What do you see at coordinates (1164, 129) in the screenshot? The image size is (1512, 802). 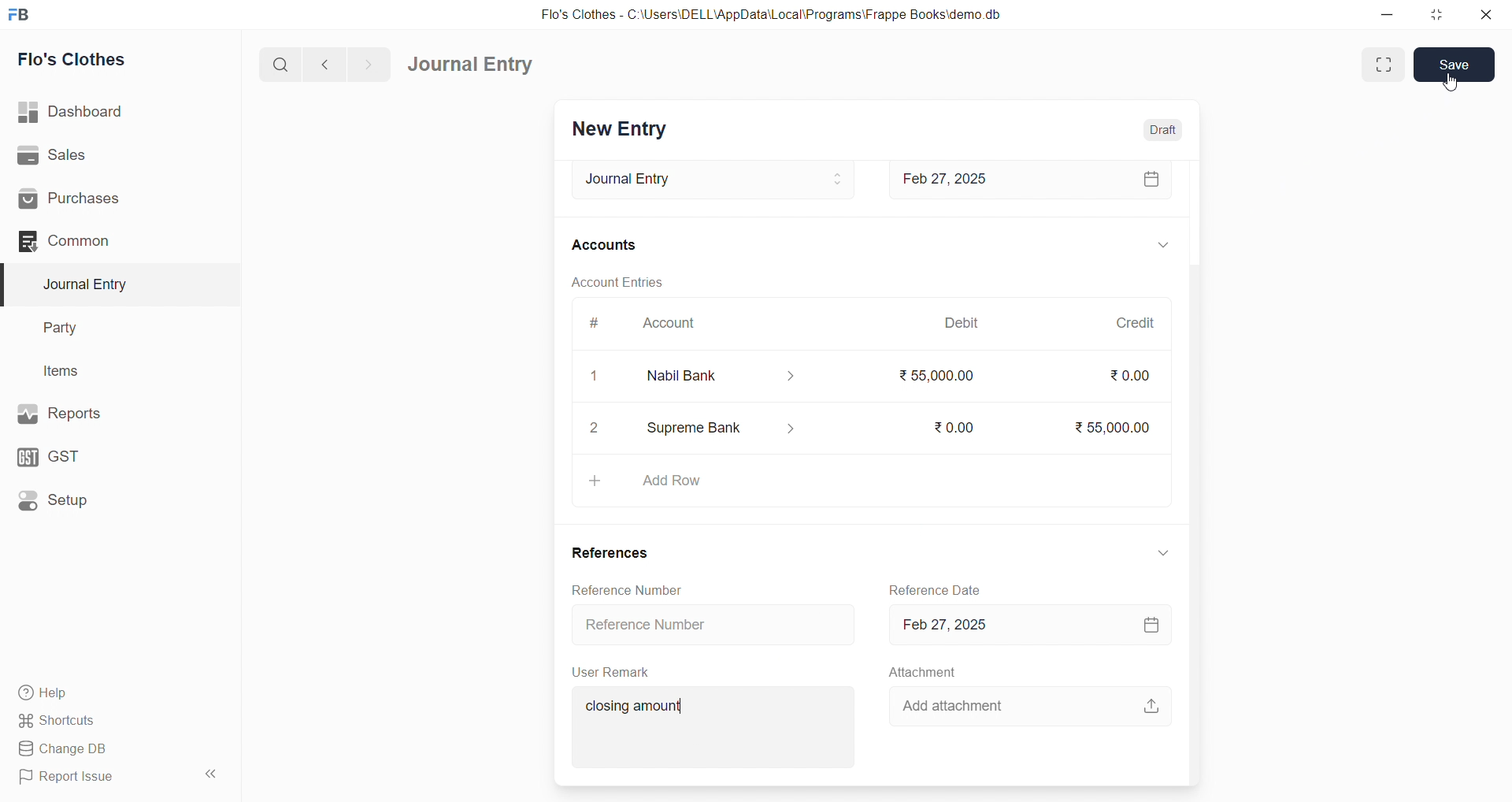 I see `Draft` at bounding box center [1164, 129].